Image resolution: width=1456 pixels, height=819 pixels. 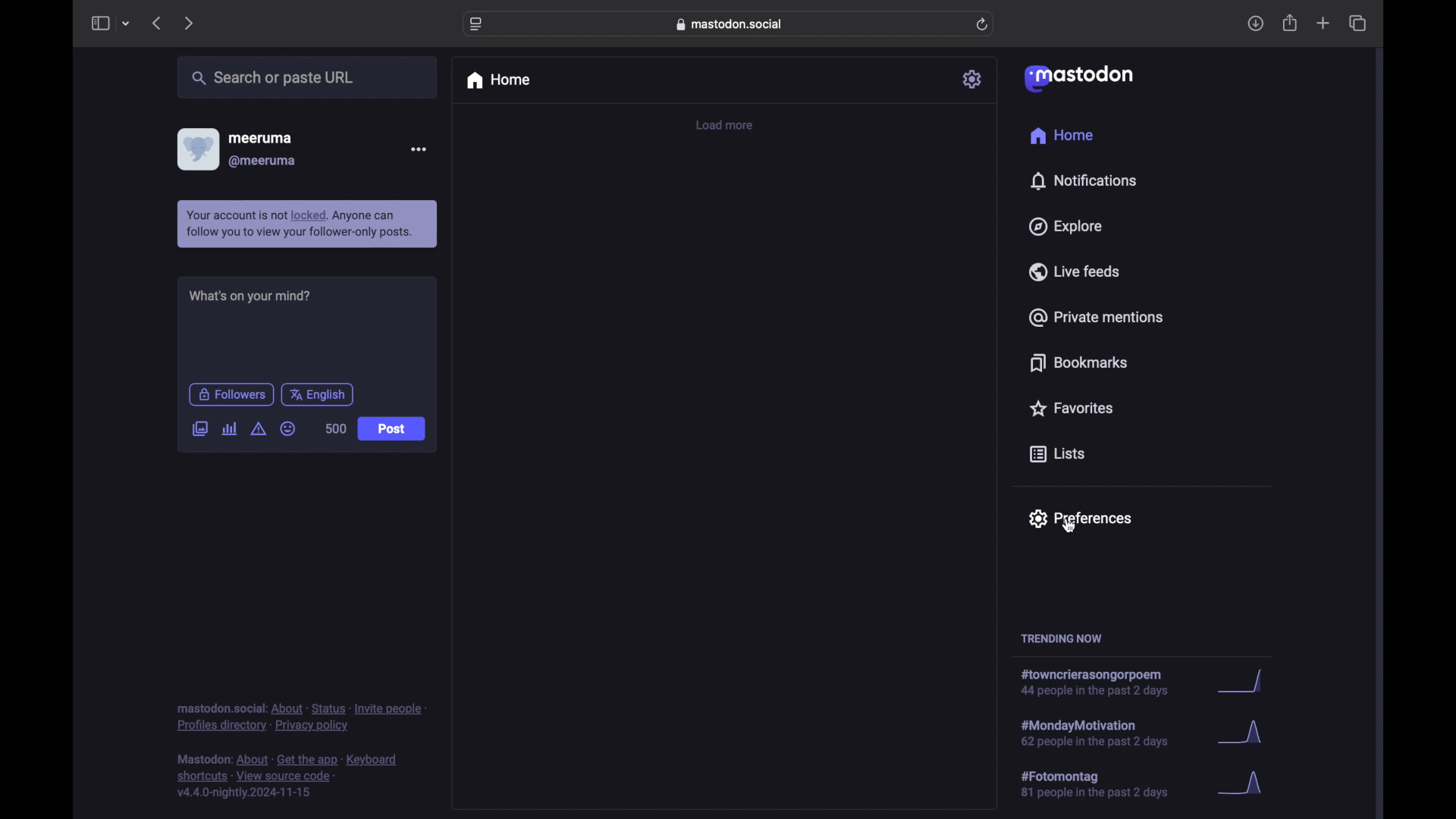 I want to click on hashtag trend, so click(x=1143, y=783).